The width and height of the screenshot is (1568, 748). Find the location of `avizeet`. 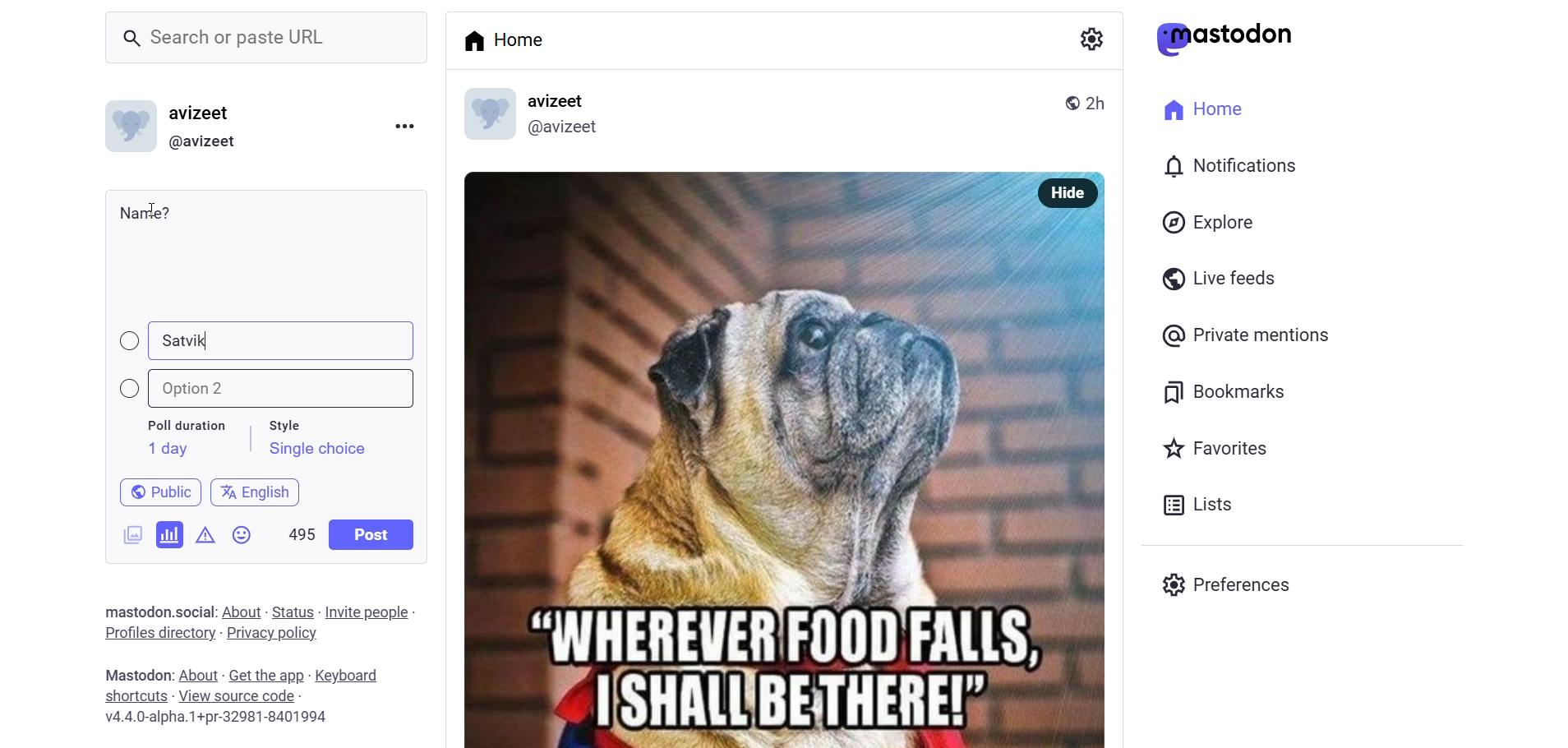

avizeet is located at coordinates (560, 102).